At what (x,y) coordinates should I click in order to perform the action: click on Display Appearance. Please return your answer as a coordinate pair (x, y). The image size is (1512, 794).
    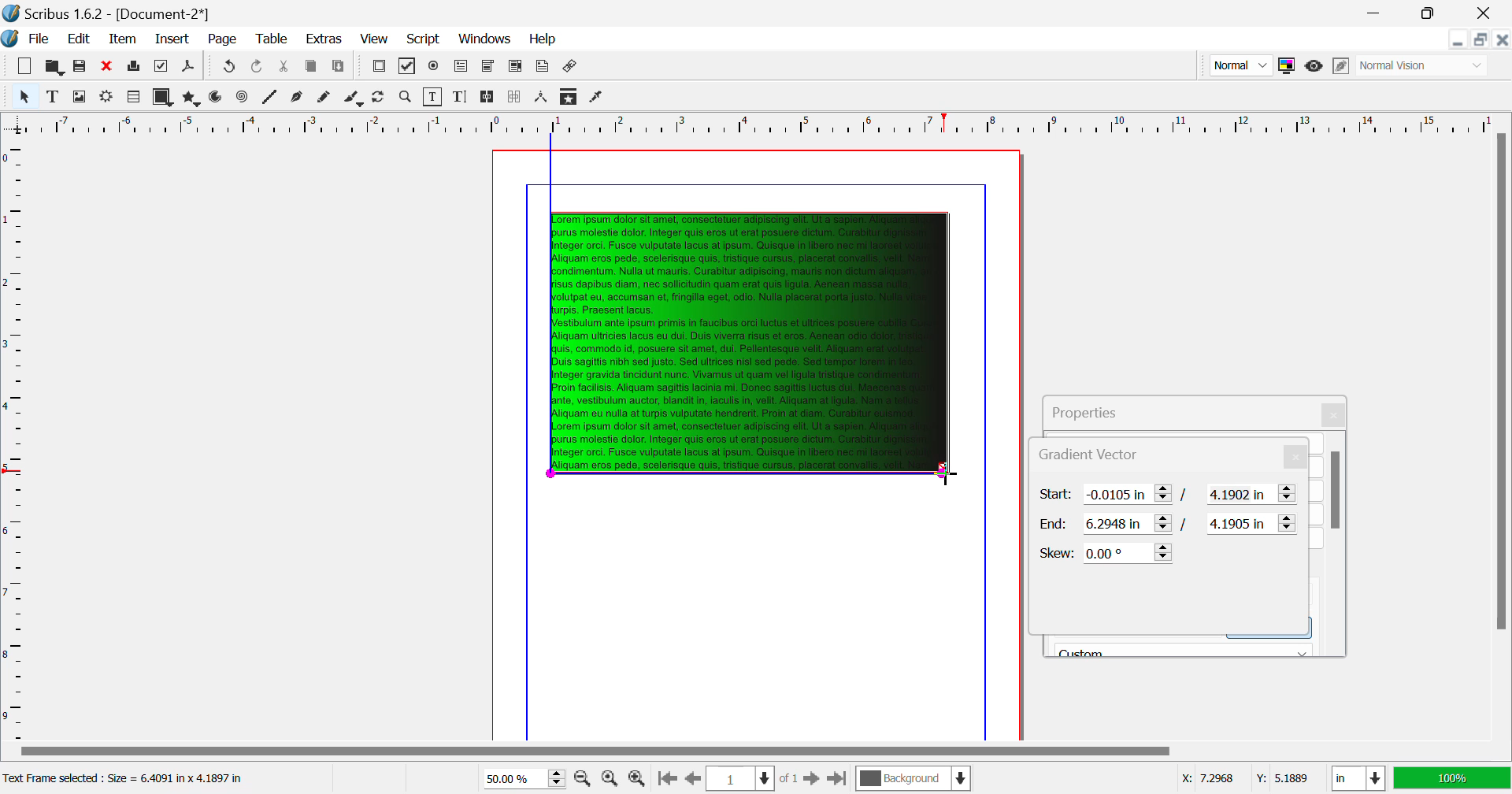
    Looking at the image, I should click on (1452, 778).